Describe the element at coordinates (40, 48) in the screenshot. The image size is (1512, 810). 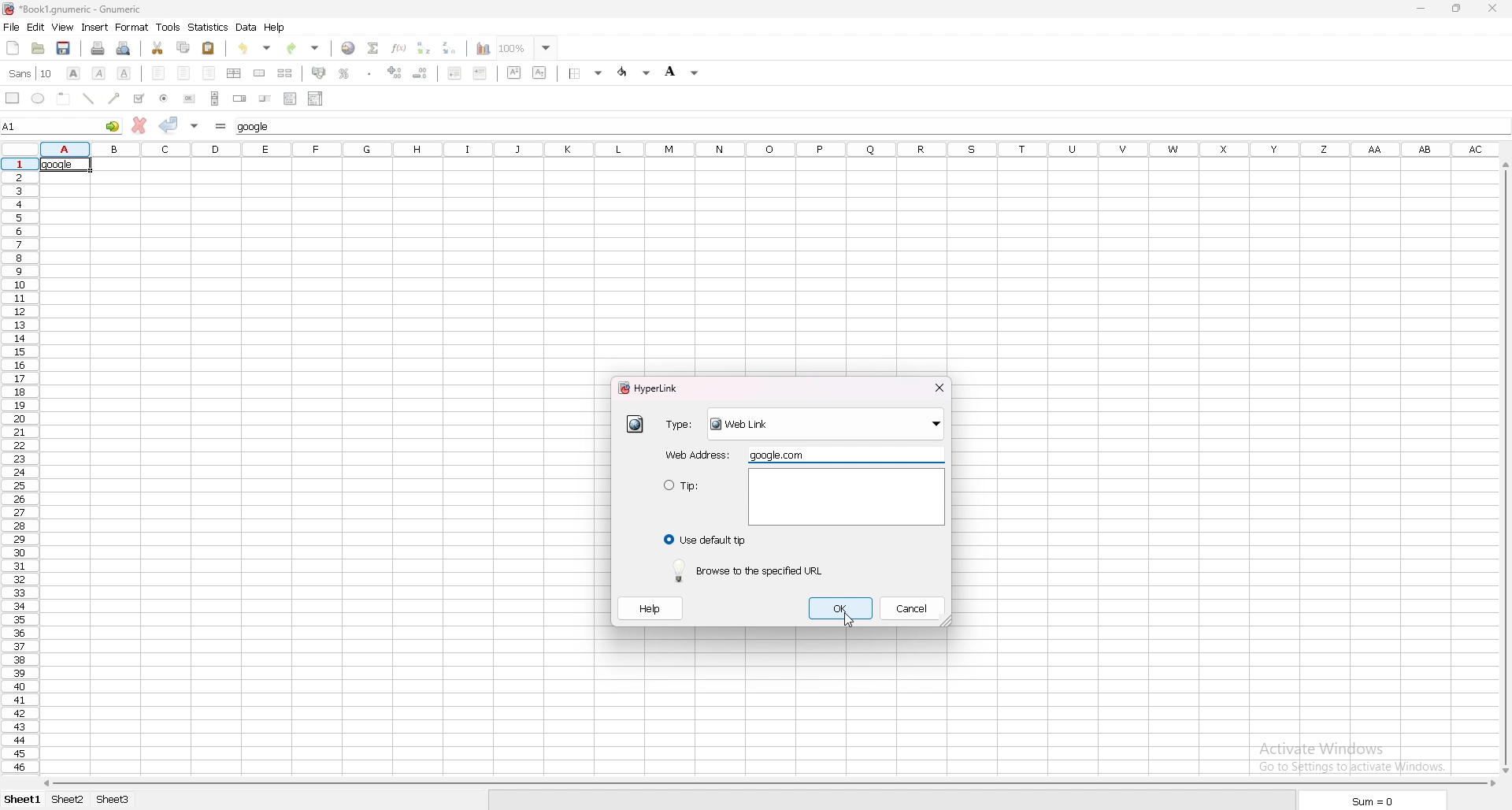
I see `open` at that location.